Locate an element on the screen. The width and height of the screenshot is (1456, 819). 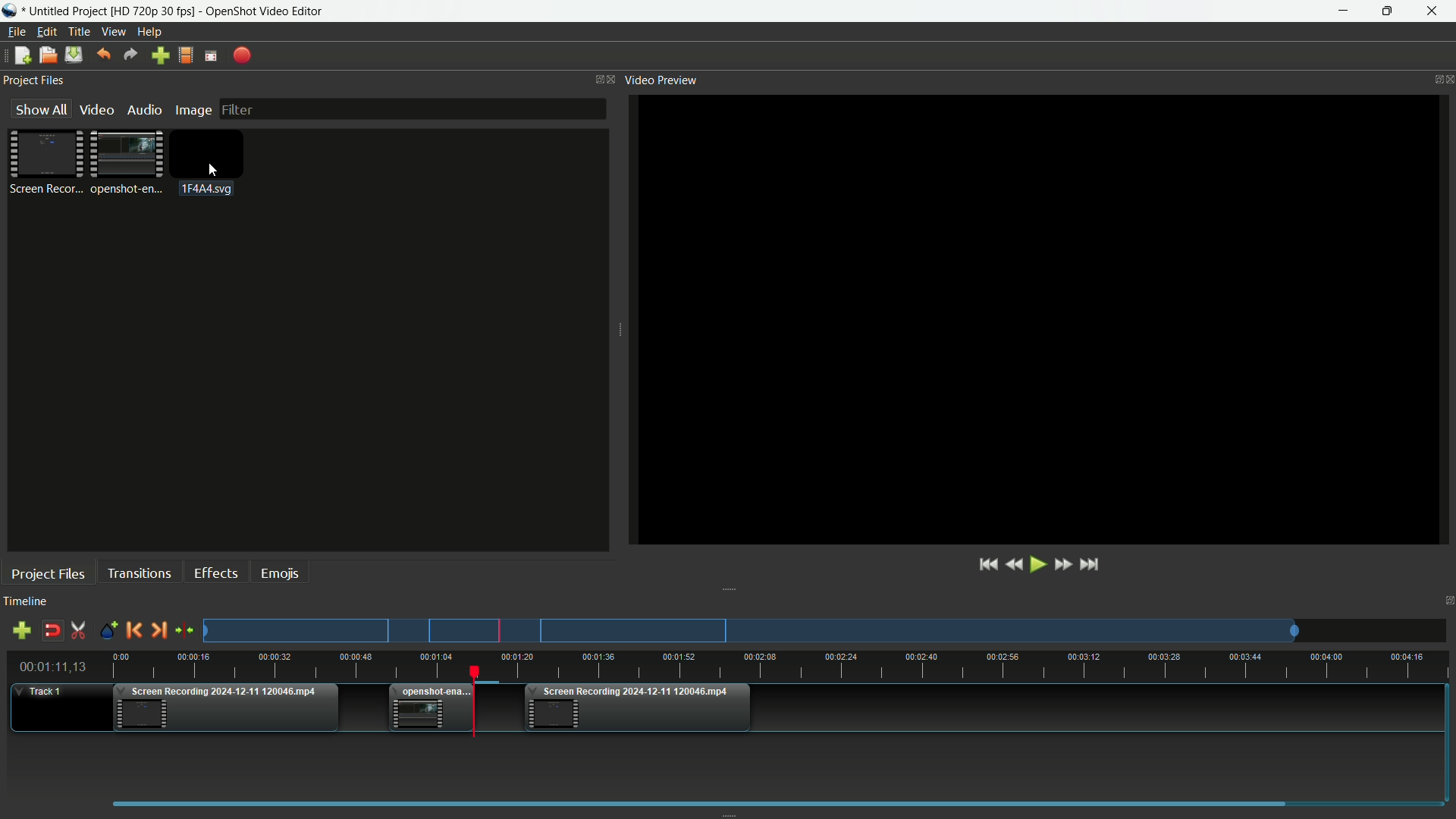
Project file 2 is located at coordinates (124, 161).